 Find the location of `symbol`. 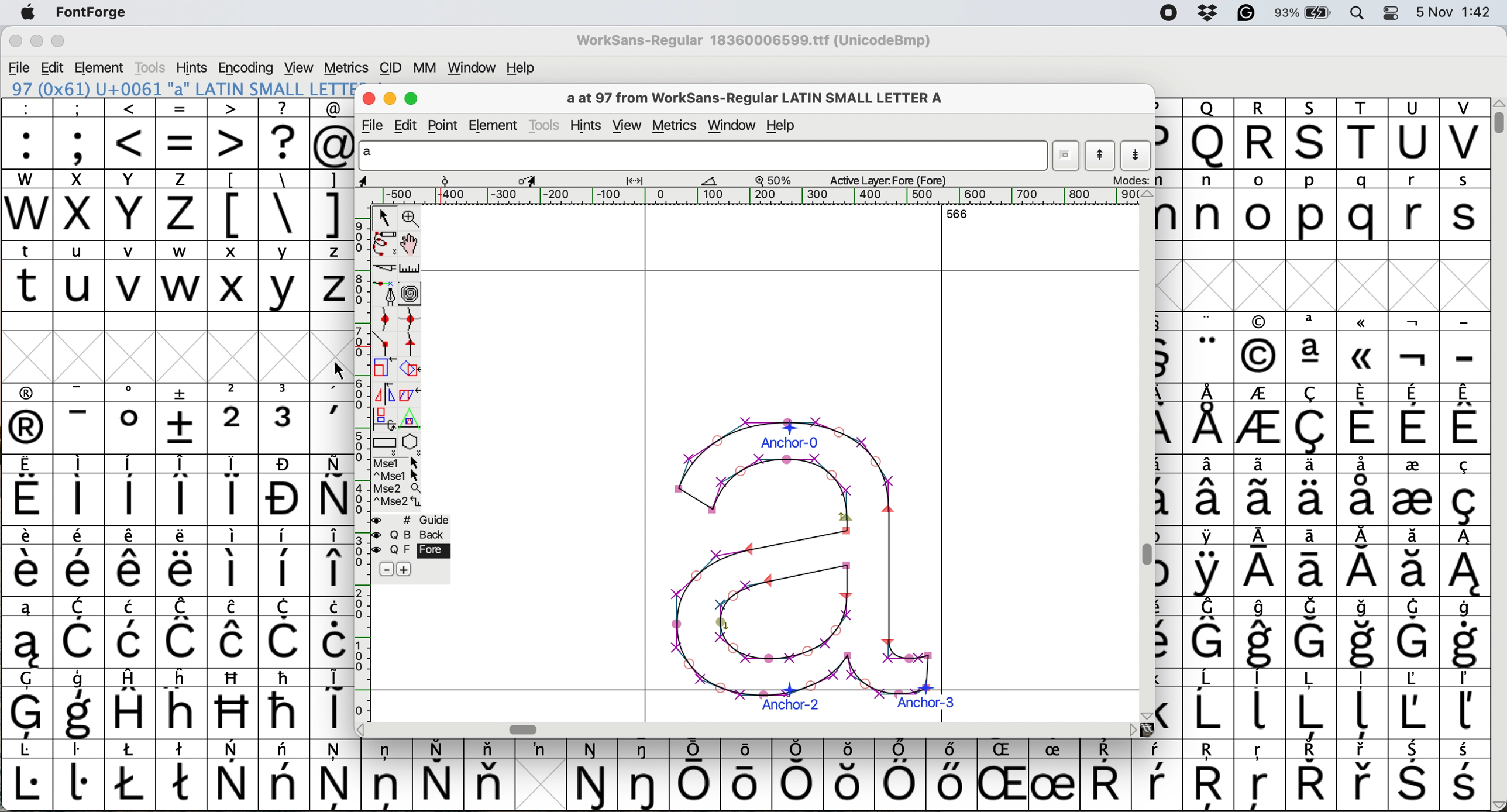

symbol is located at coordinates (1312, 562).